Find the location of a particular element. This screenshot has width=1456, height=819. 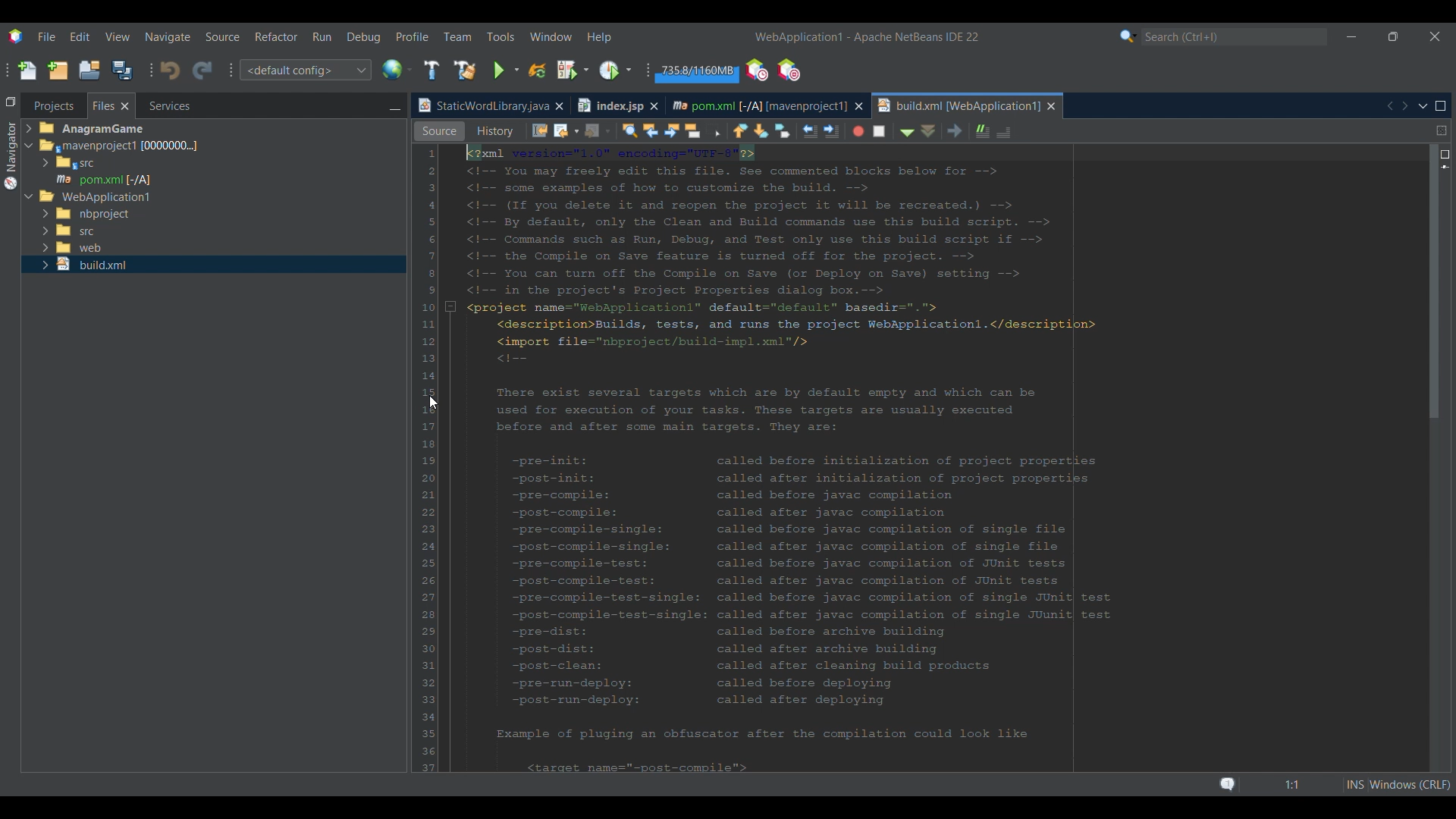

Undo is located at coordinates (170, 71).